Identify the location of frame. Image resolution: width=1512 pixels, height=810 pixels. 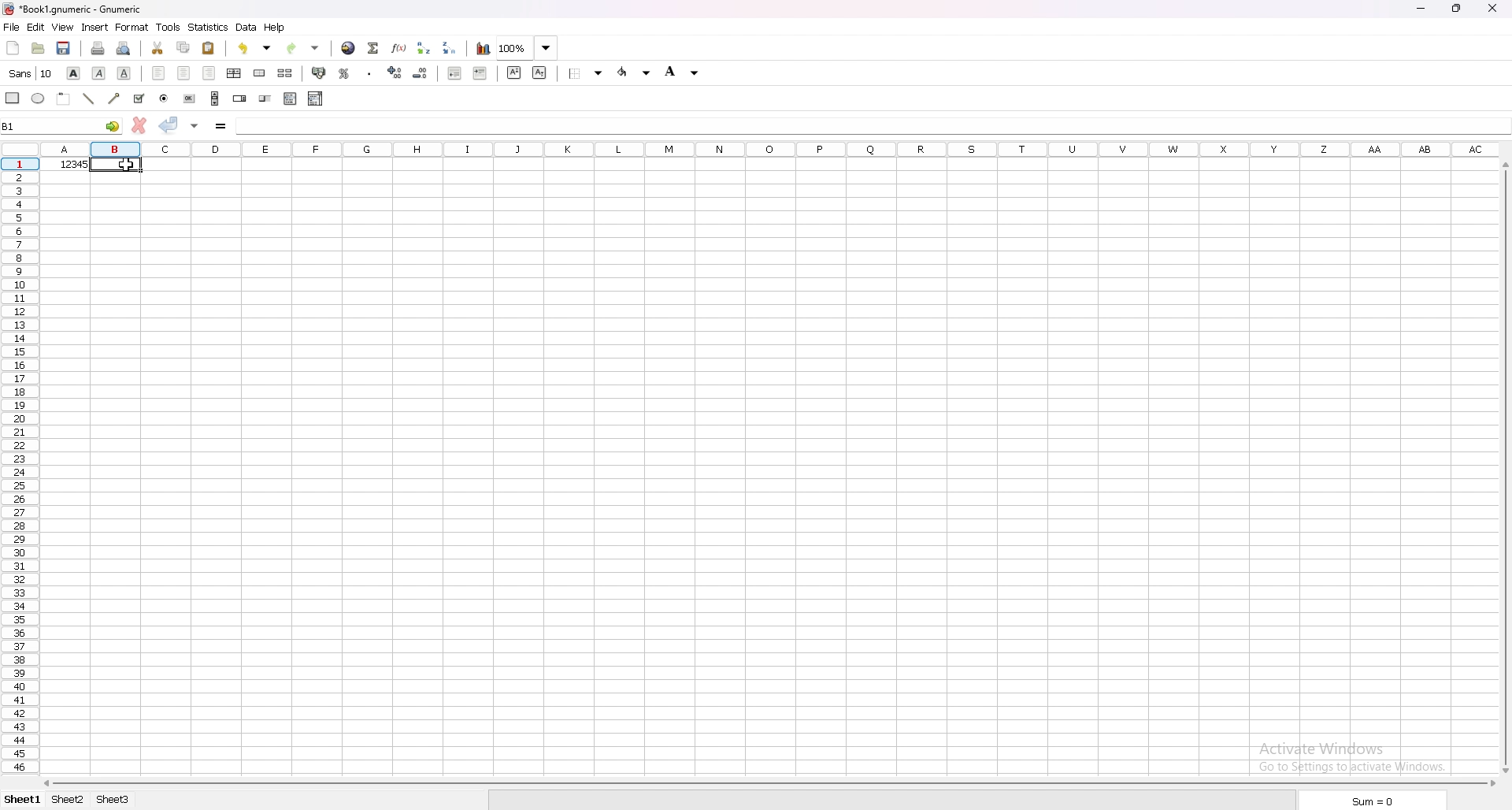
(64, 99).